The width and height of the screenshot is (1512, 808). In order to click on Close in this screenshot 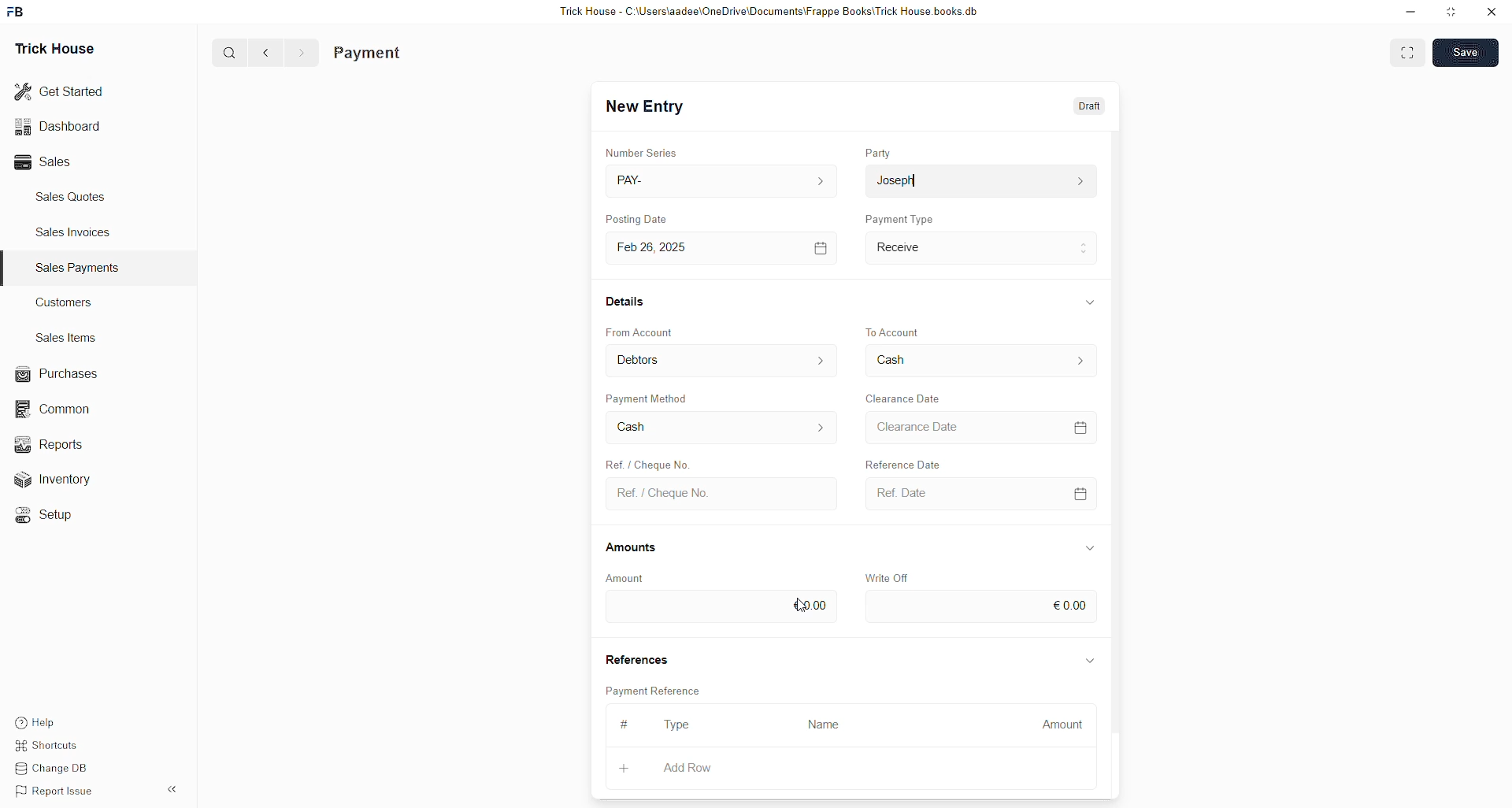, I will do `click(1491, 13)`.